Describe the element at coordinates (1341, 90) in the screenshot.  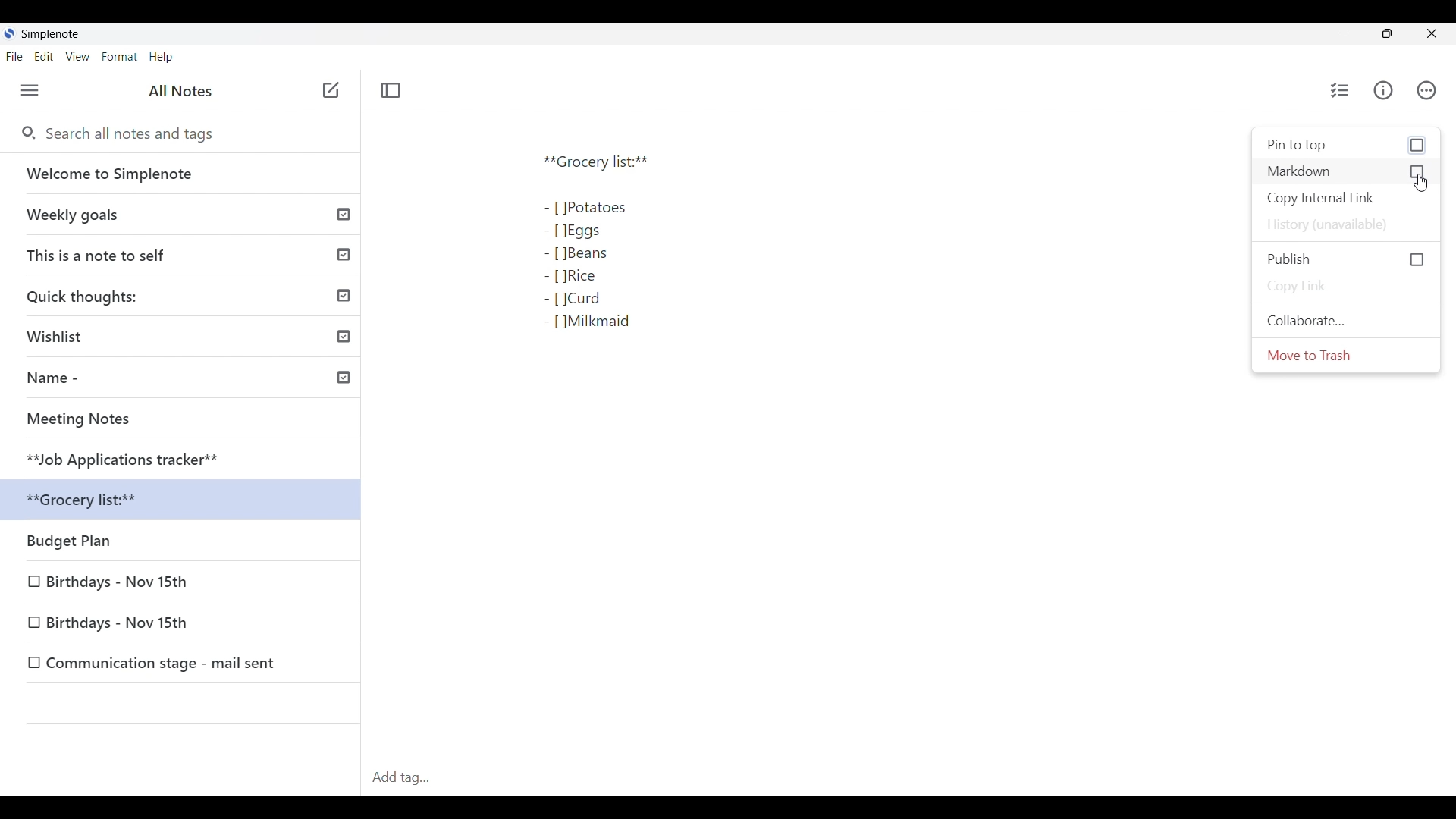
I see `Insert checklist` at that location.